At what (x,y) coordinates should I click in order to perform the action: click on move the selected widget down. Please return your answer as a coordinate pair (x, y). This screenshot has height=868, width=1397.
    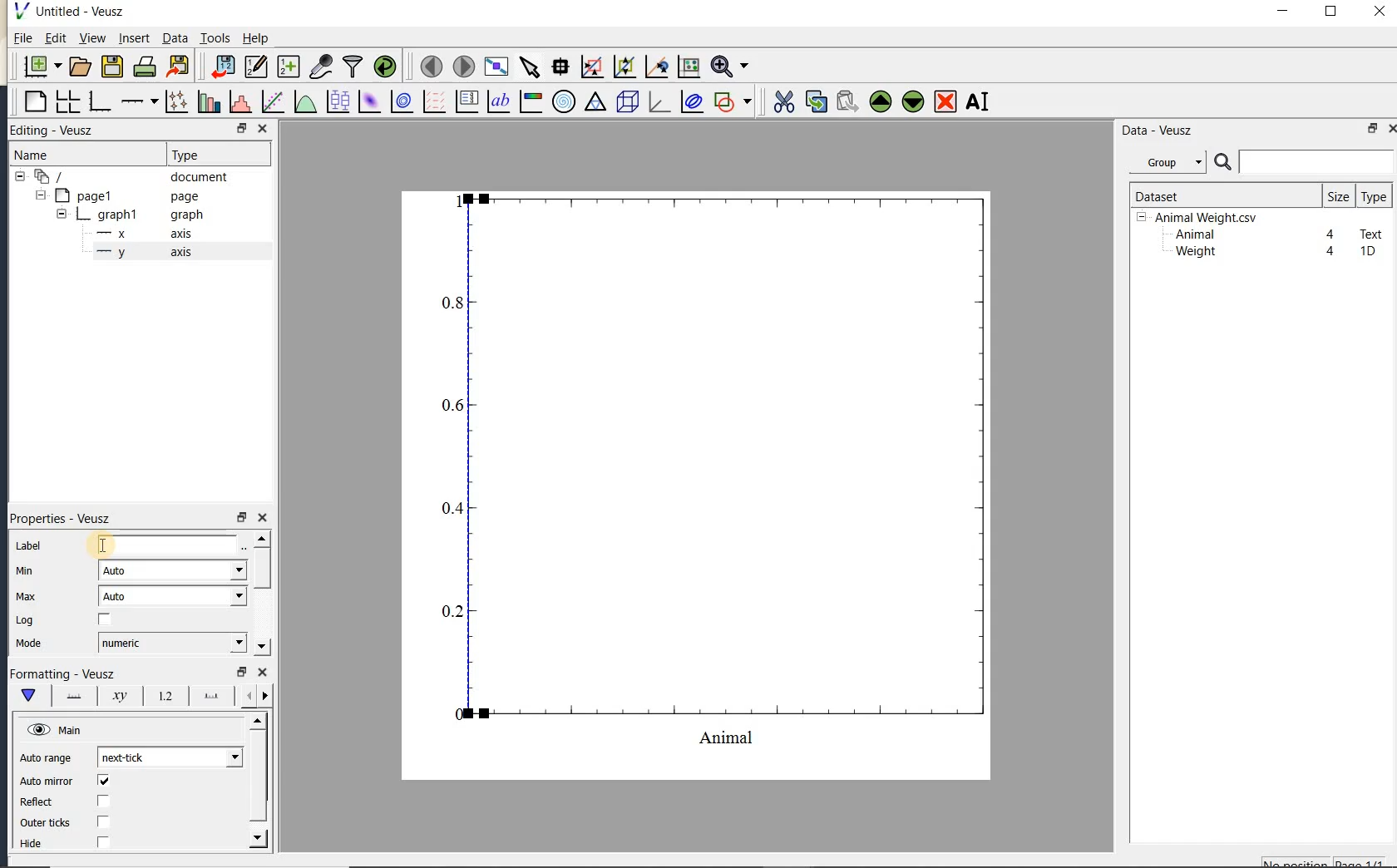
    Looking at the image, I should click on (913, 101).